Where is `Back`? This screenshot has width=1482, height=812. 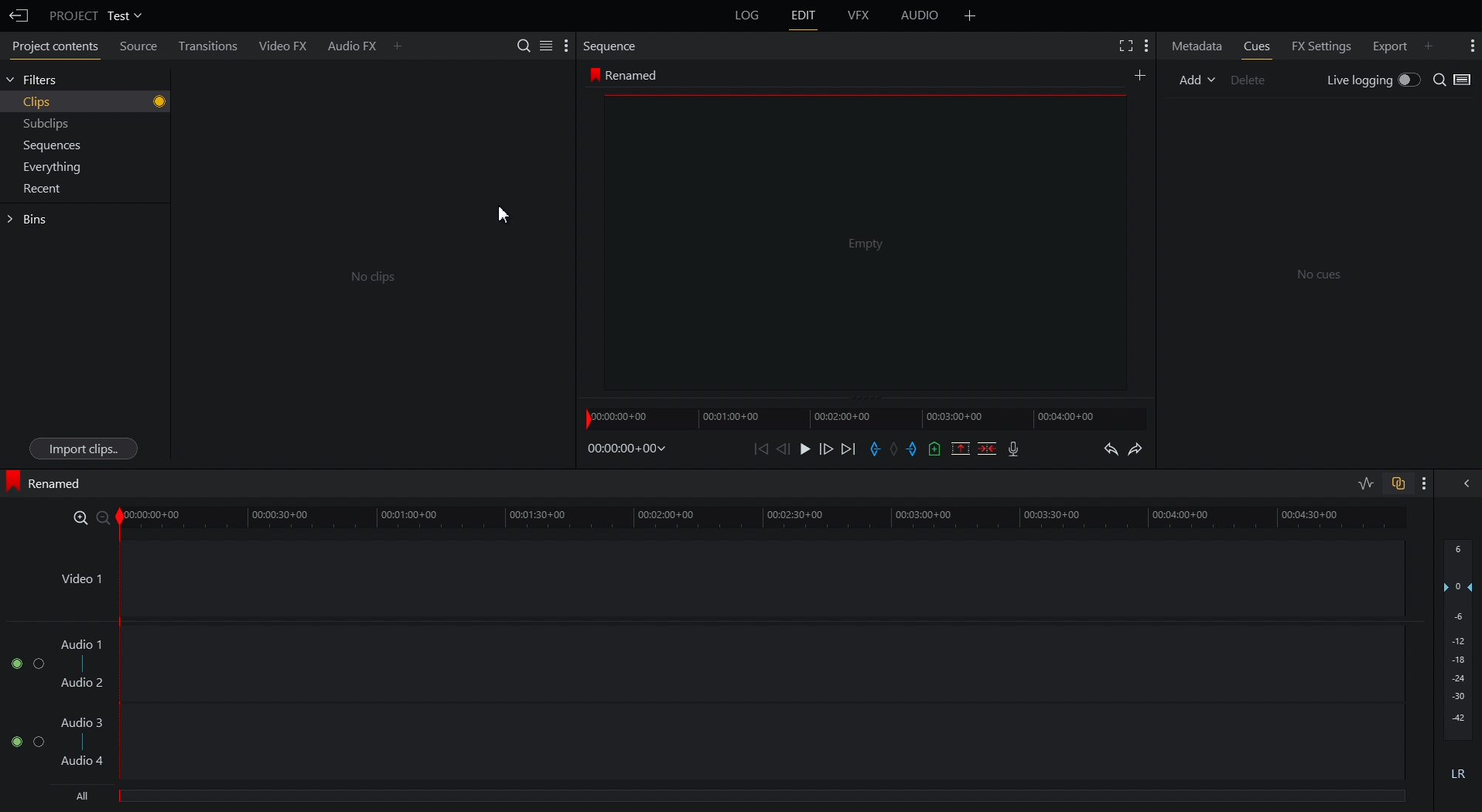
Back is located at coordinates (18, 13).